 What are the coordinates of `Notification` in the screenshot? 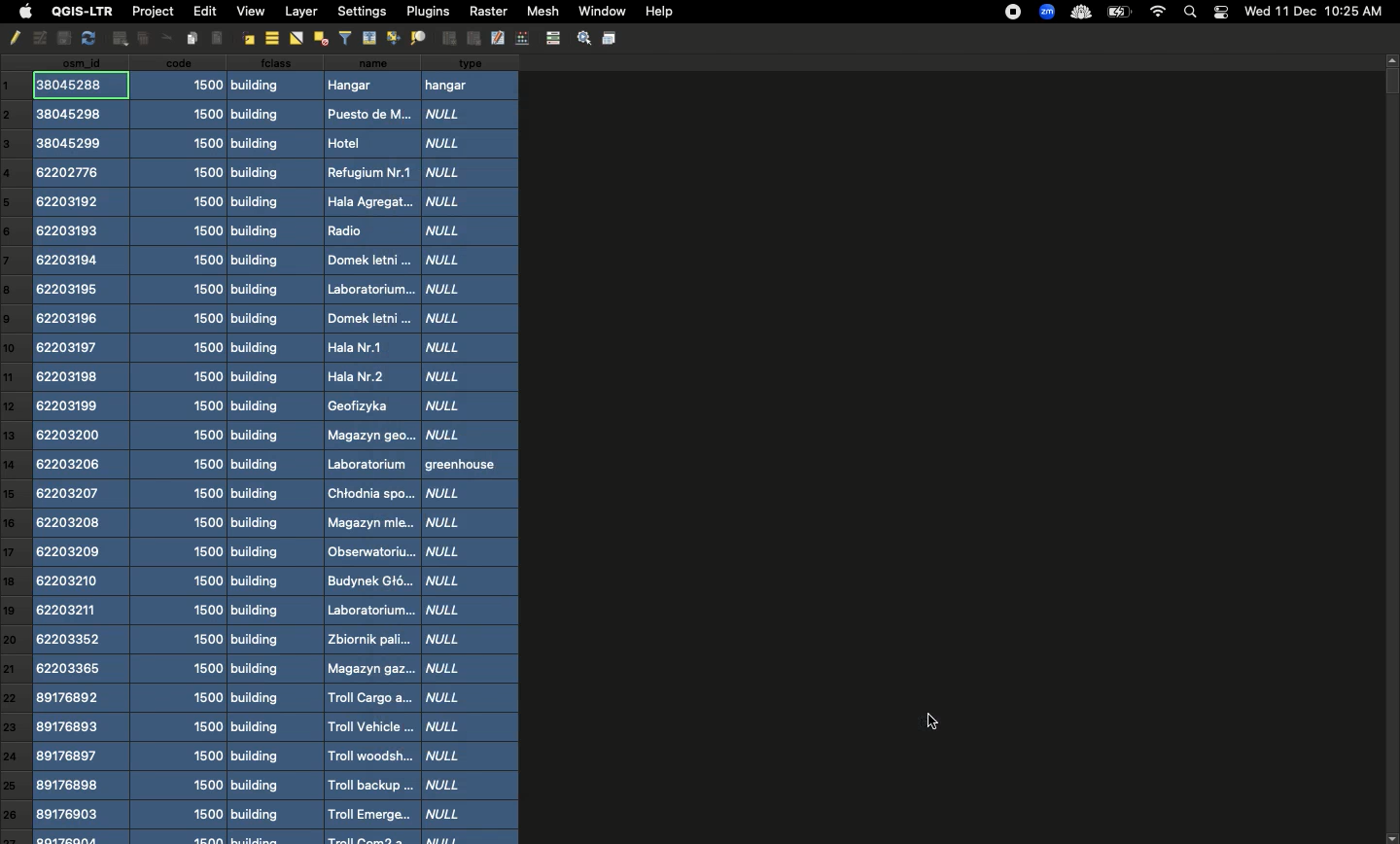 It's located at (1220, 11).